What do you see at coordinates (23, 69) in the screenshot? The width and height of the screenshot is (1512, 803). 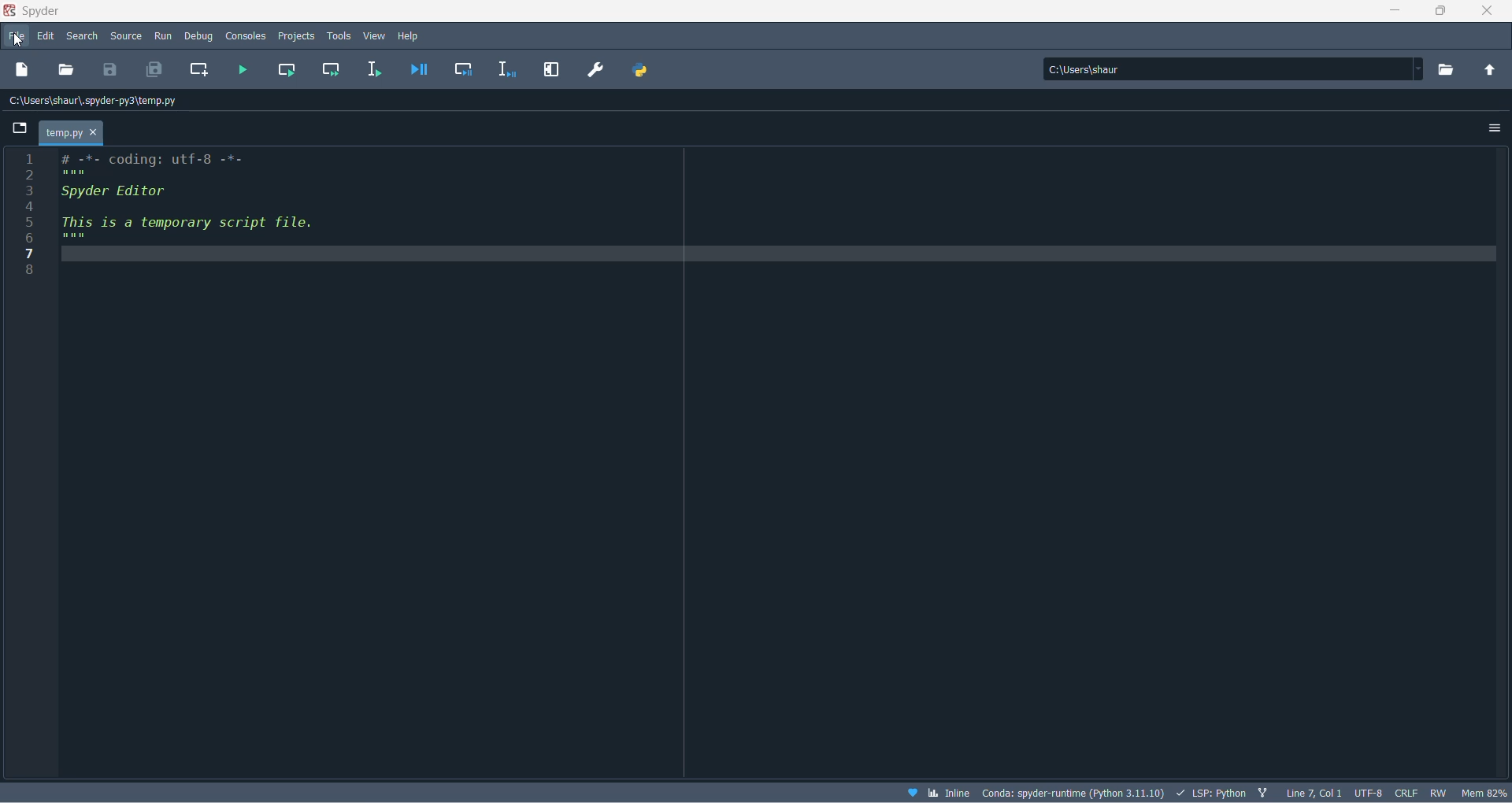 I see `new file` at bounding box center [23, 69].